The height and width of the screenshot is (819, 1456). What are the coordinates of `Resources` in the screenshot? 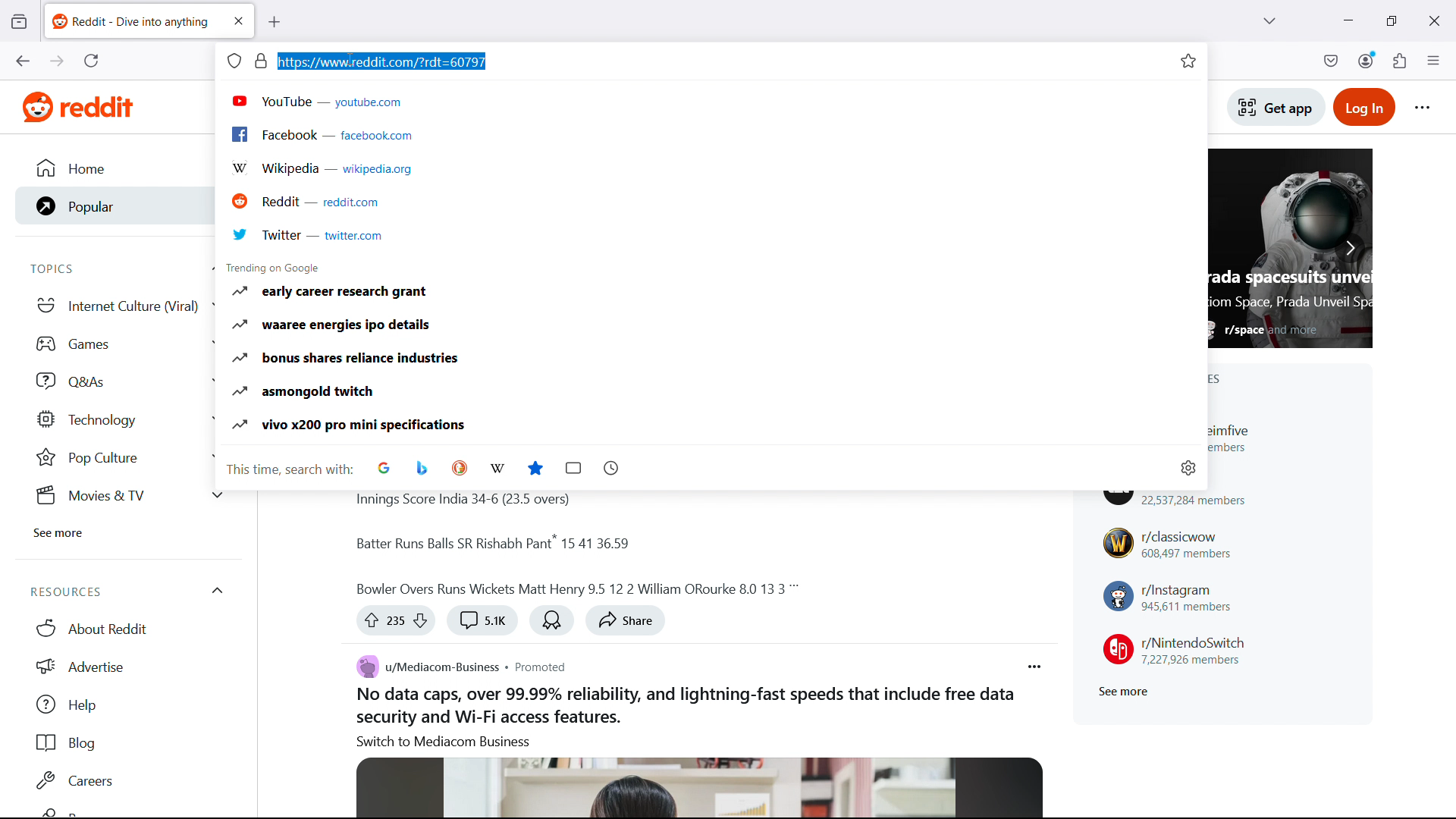 It's located at (124, 591).